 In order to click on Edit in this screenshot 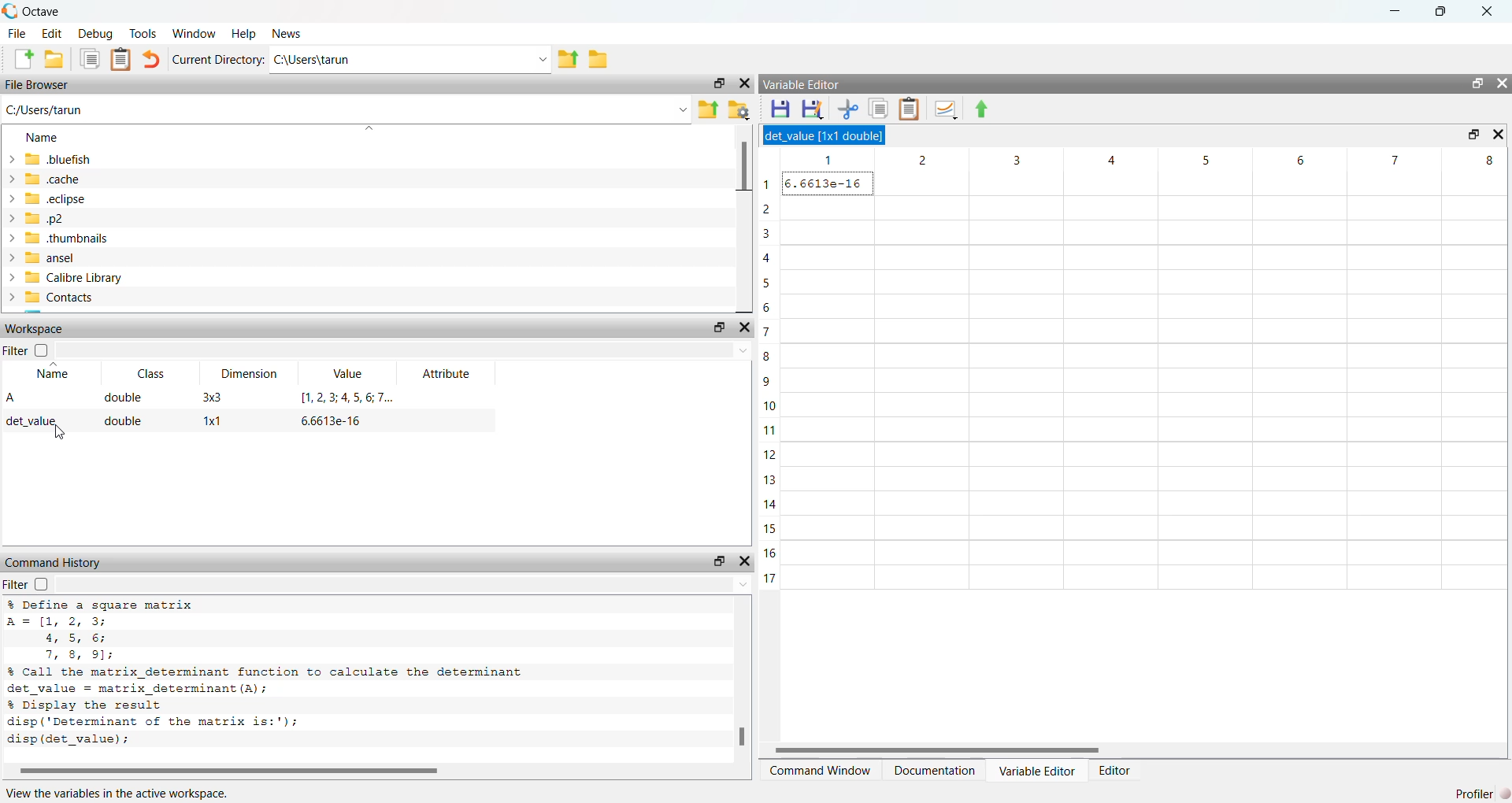, I will do `click(54, 34)`.